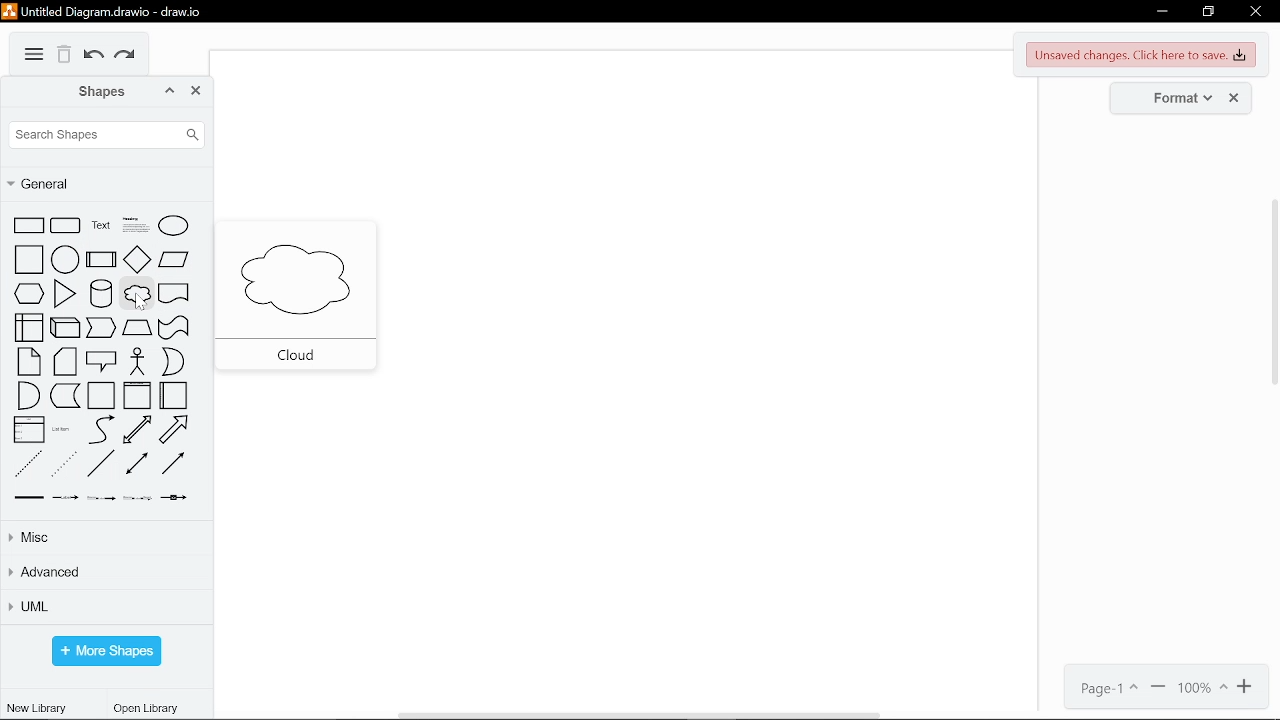 This screenshot has width=1280, height=720. What do you see at coordinates (26, 462) in the screenshot?
I see `dashed line` at bounding box center [26, 462].